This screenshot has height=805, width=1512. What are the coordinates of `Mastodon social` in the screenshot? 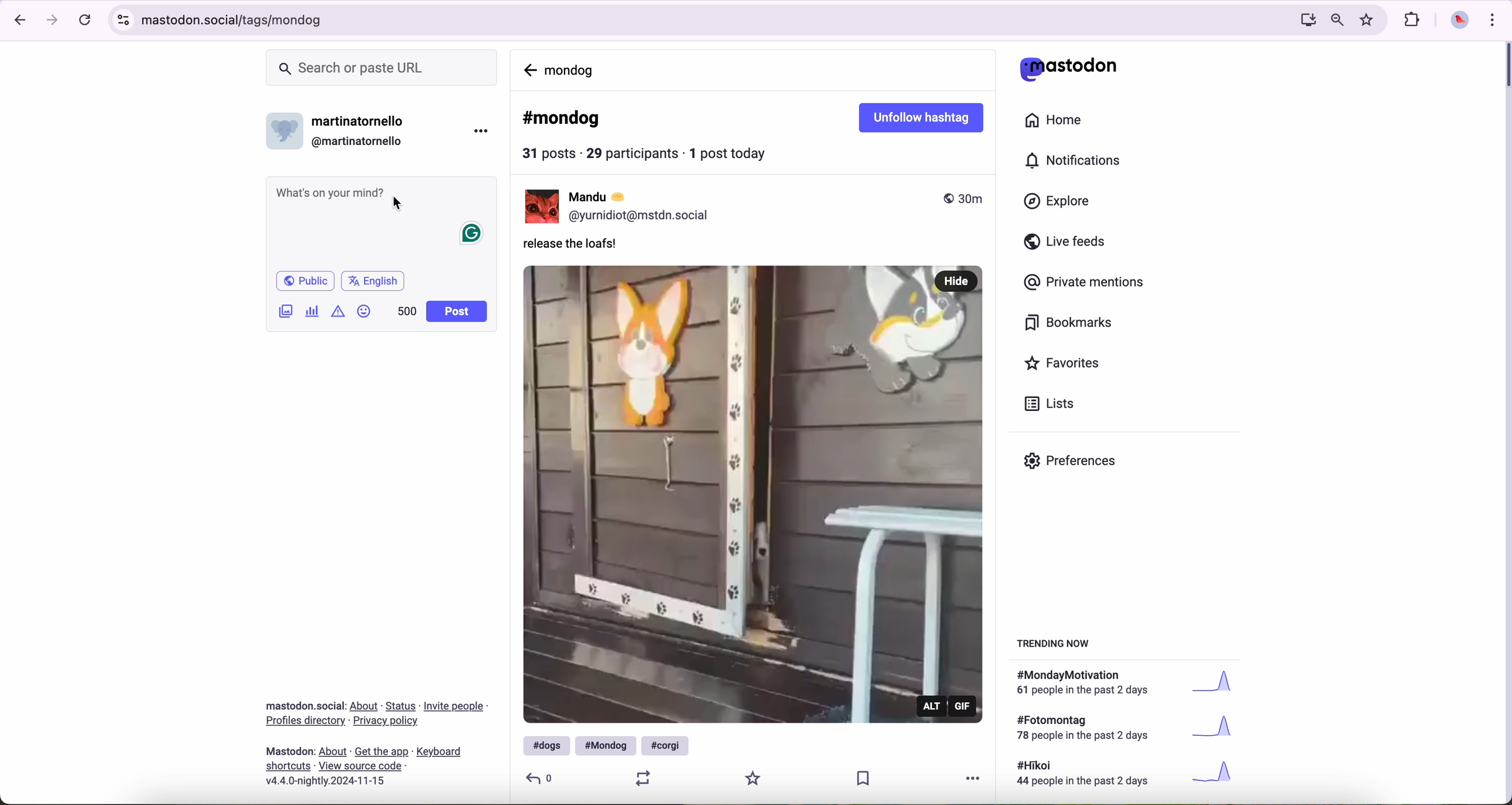 It's located at (302, 706).